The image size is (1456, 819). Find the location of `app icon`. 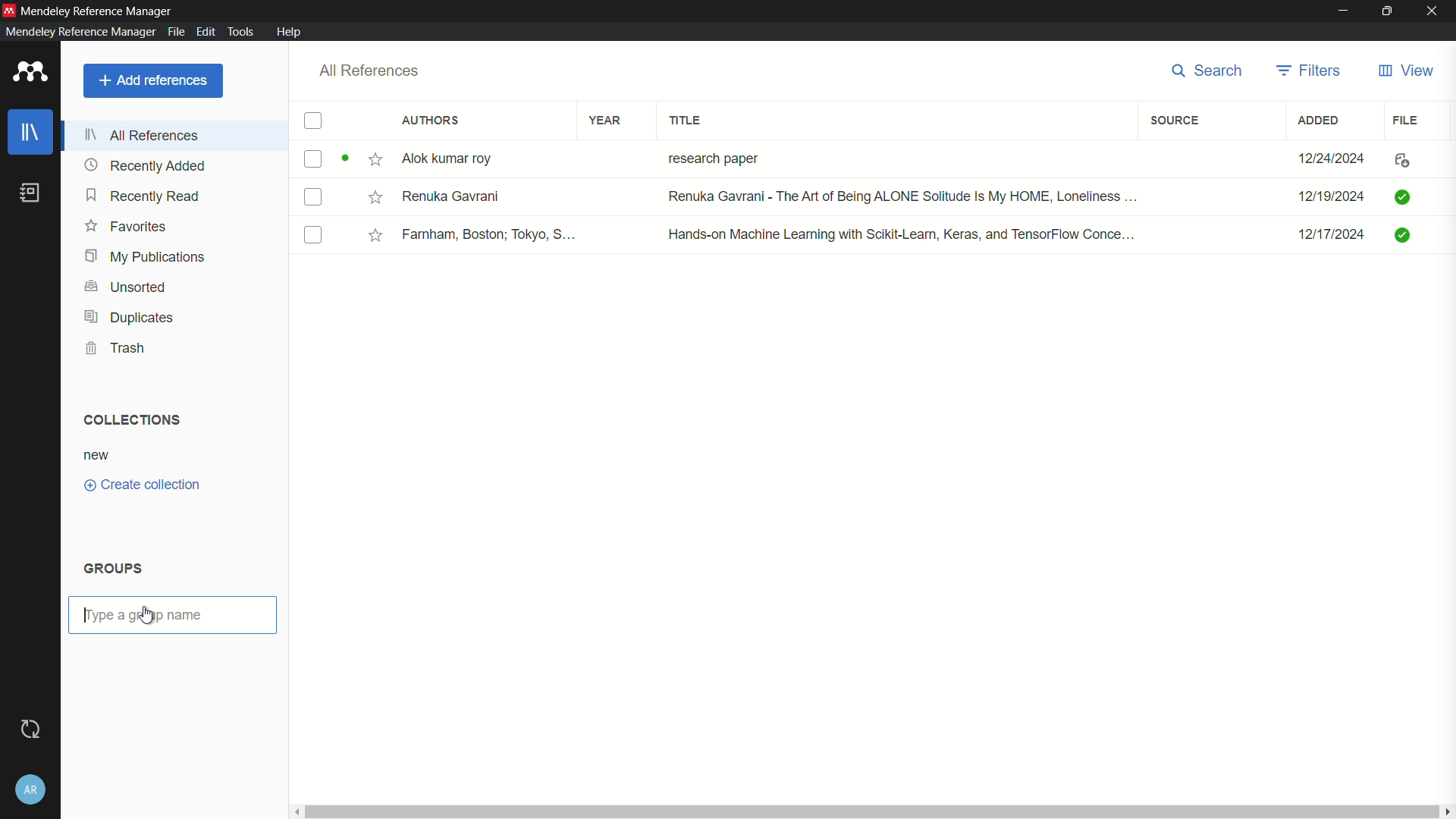

app icon is located at coordinates (27, 73).